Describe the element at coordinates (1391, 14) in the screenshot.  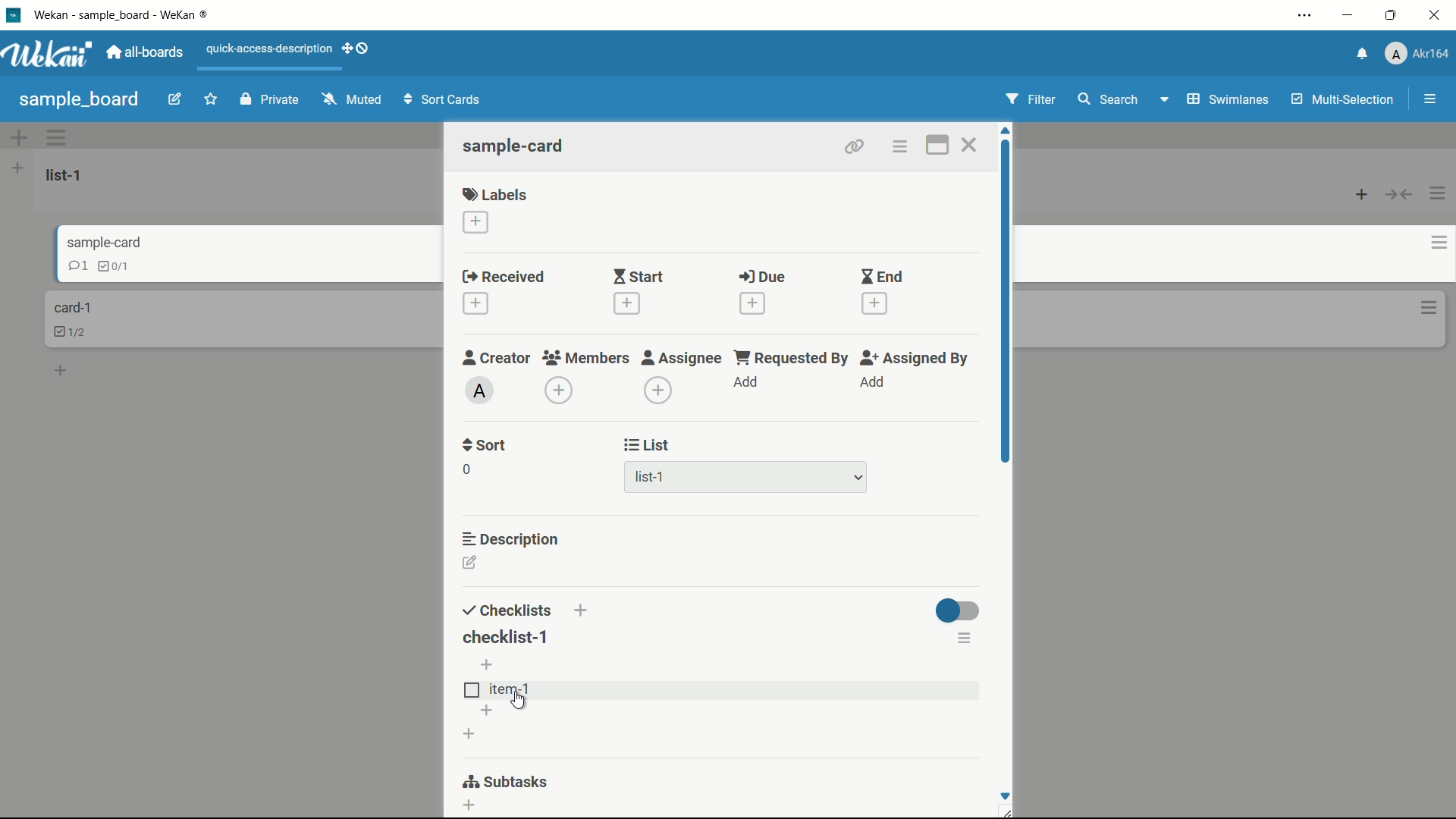
I see `maximize` at that location.